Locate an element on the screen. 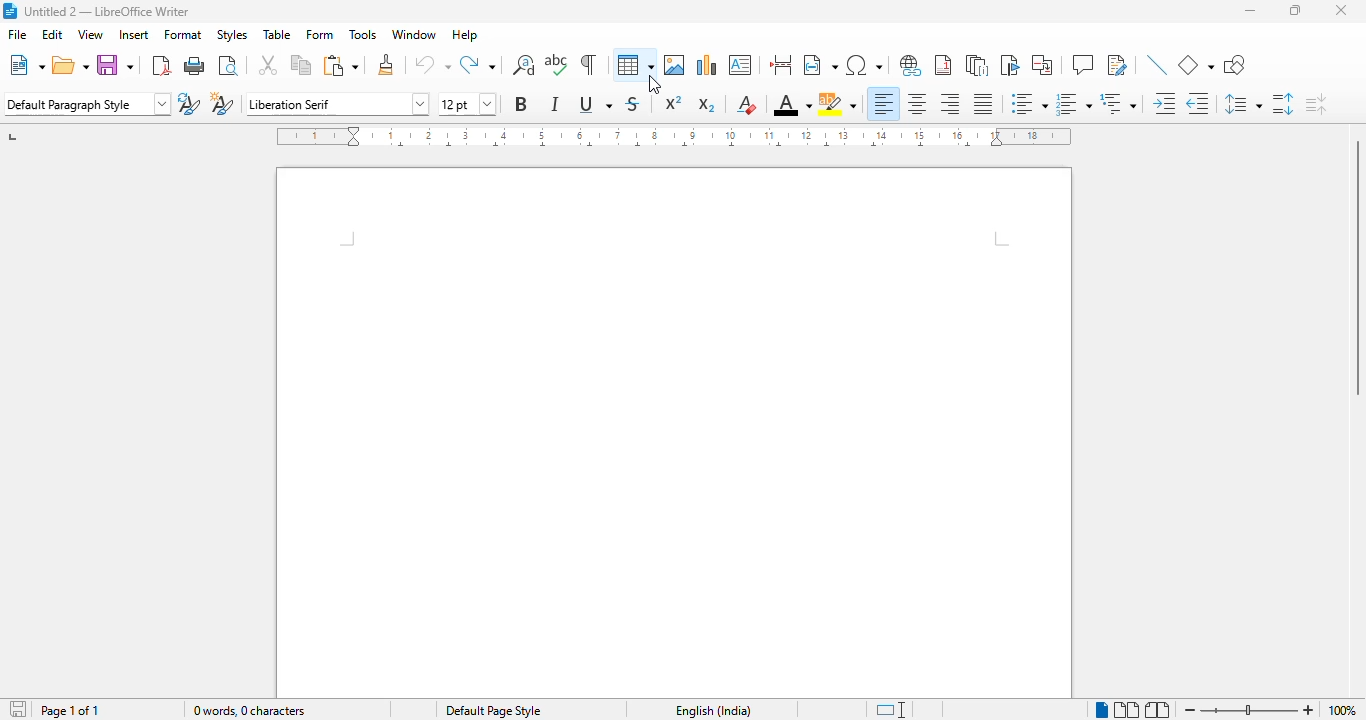  insert cross-reference is located at coordinates (1042, 65).